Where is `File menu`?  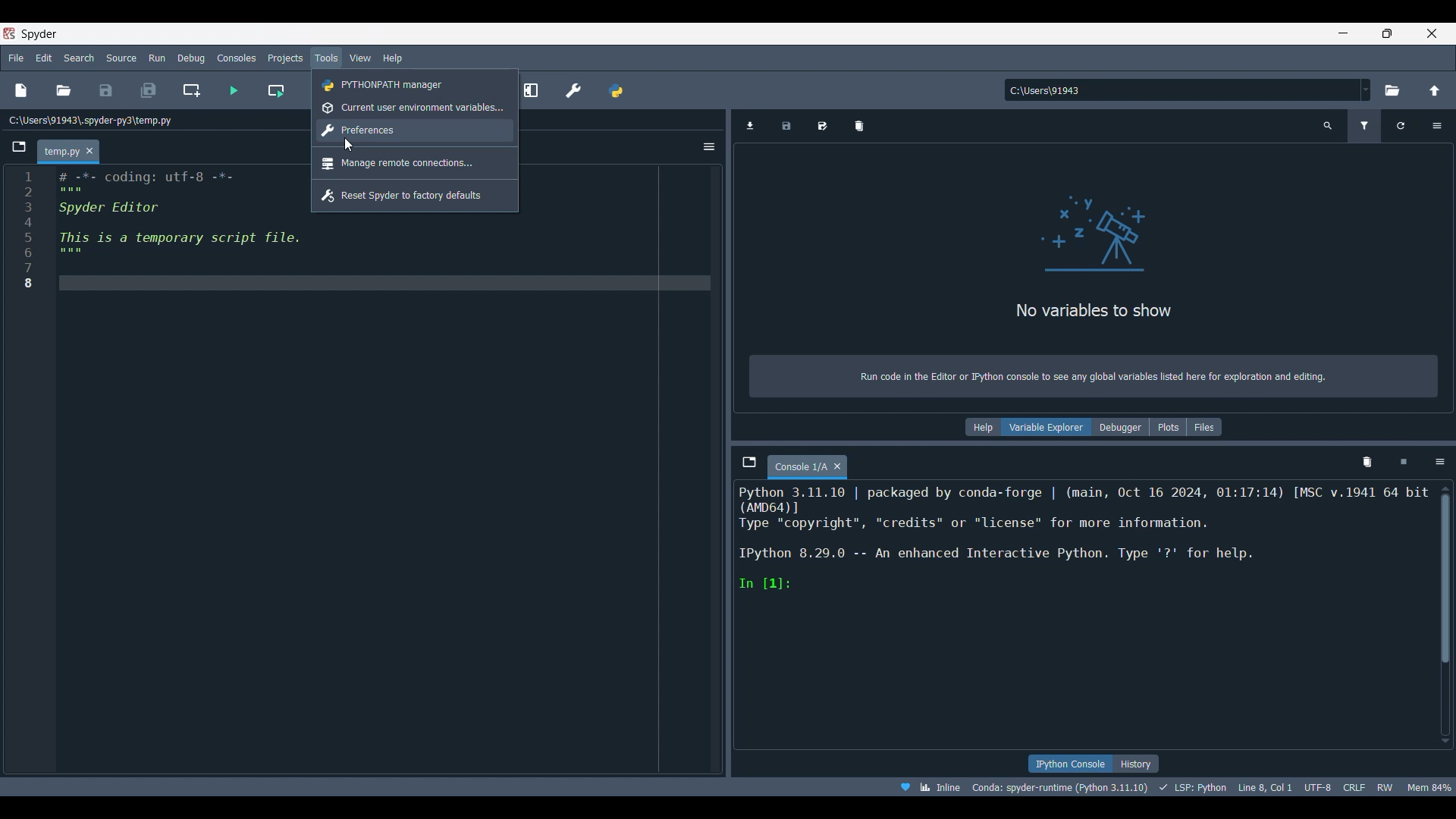 File menu is located at coordinates (16, 58).